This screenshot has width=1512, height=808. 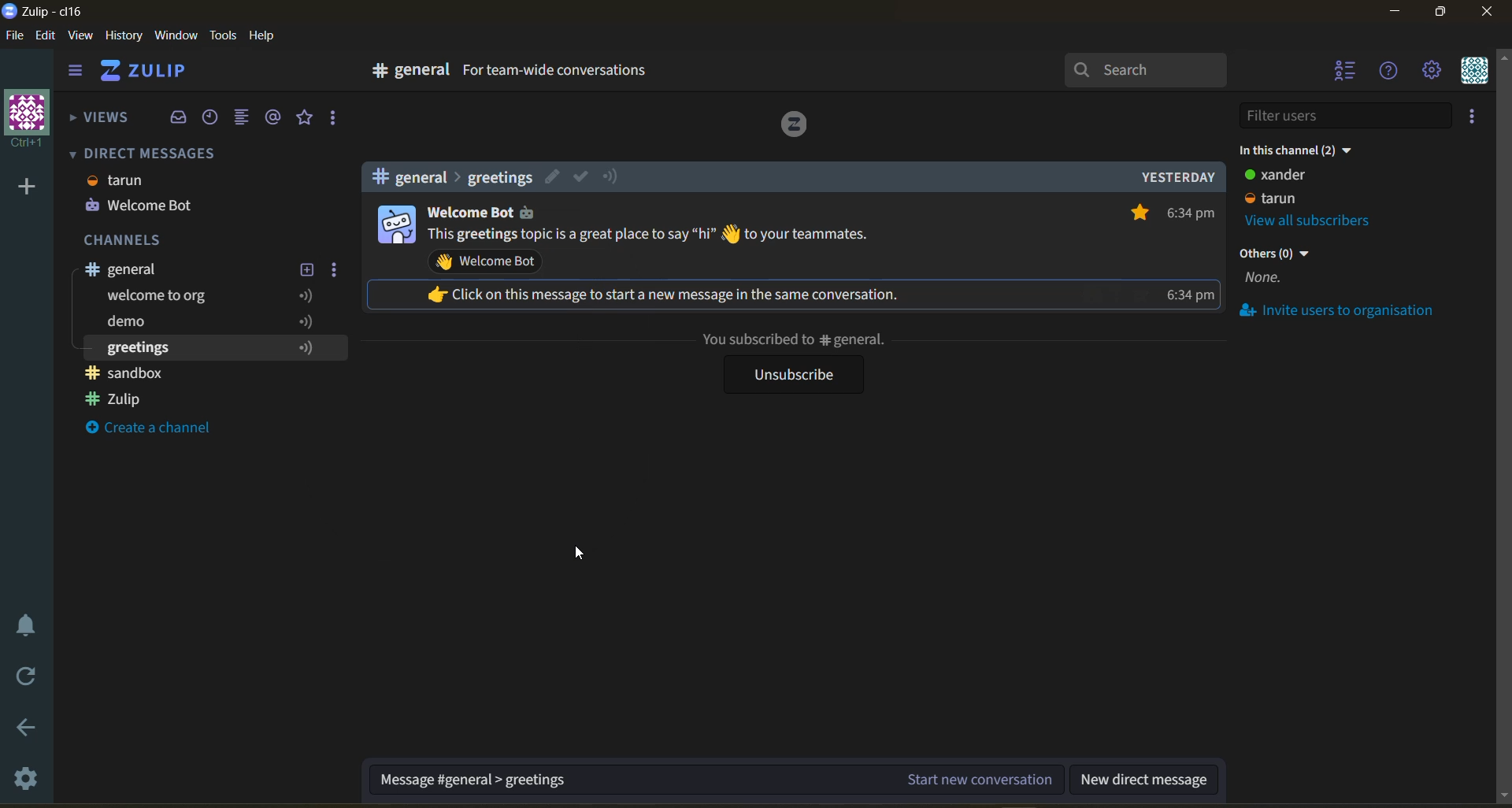 What do you see at coordinates (187, 269) in the screenshot?
I see `stream title/channel` at bounding box center [187, 269].